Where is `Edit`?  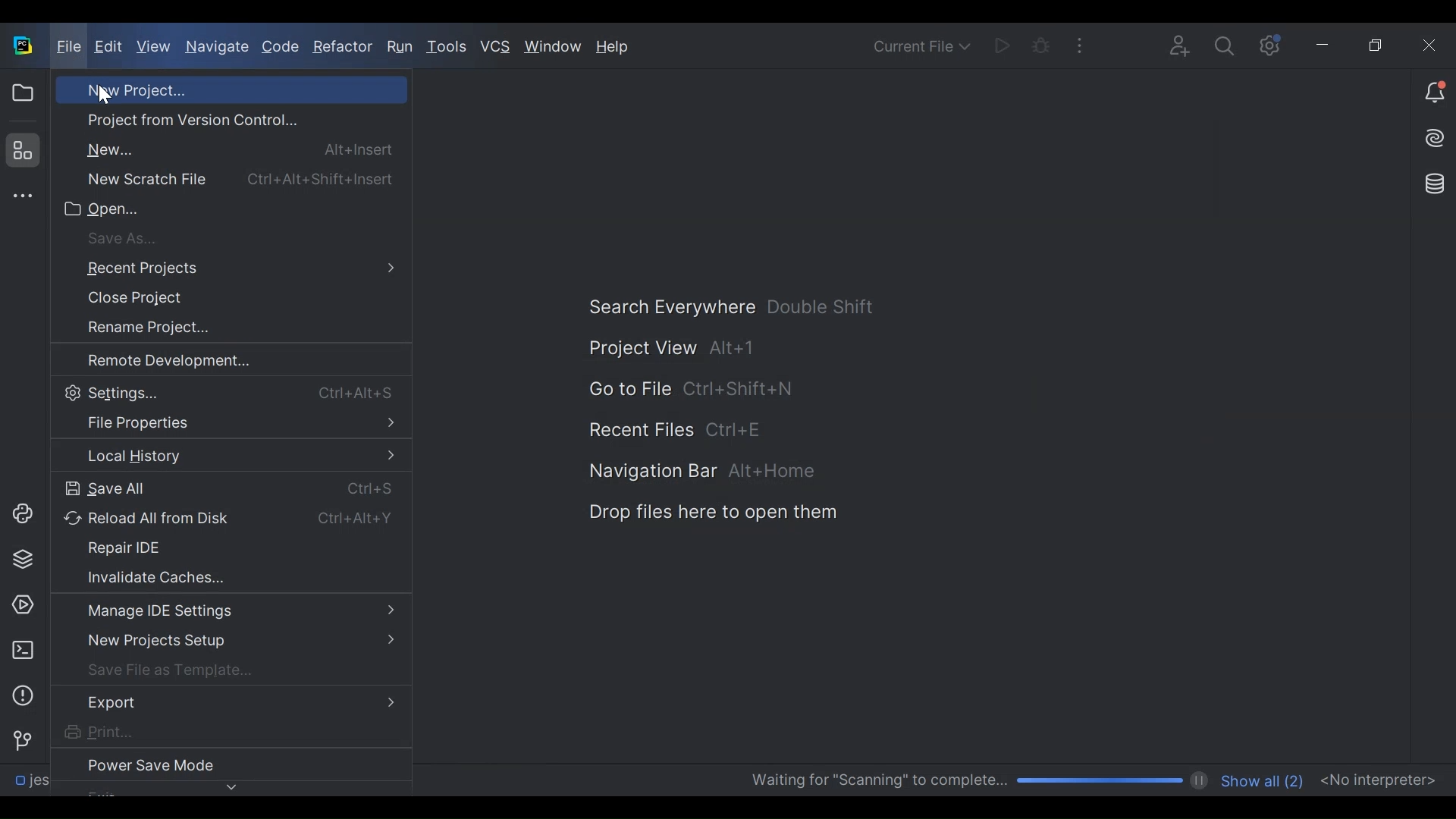 Edit is located at coordinates (110, 48).